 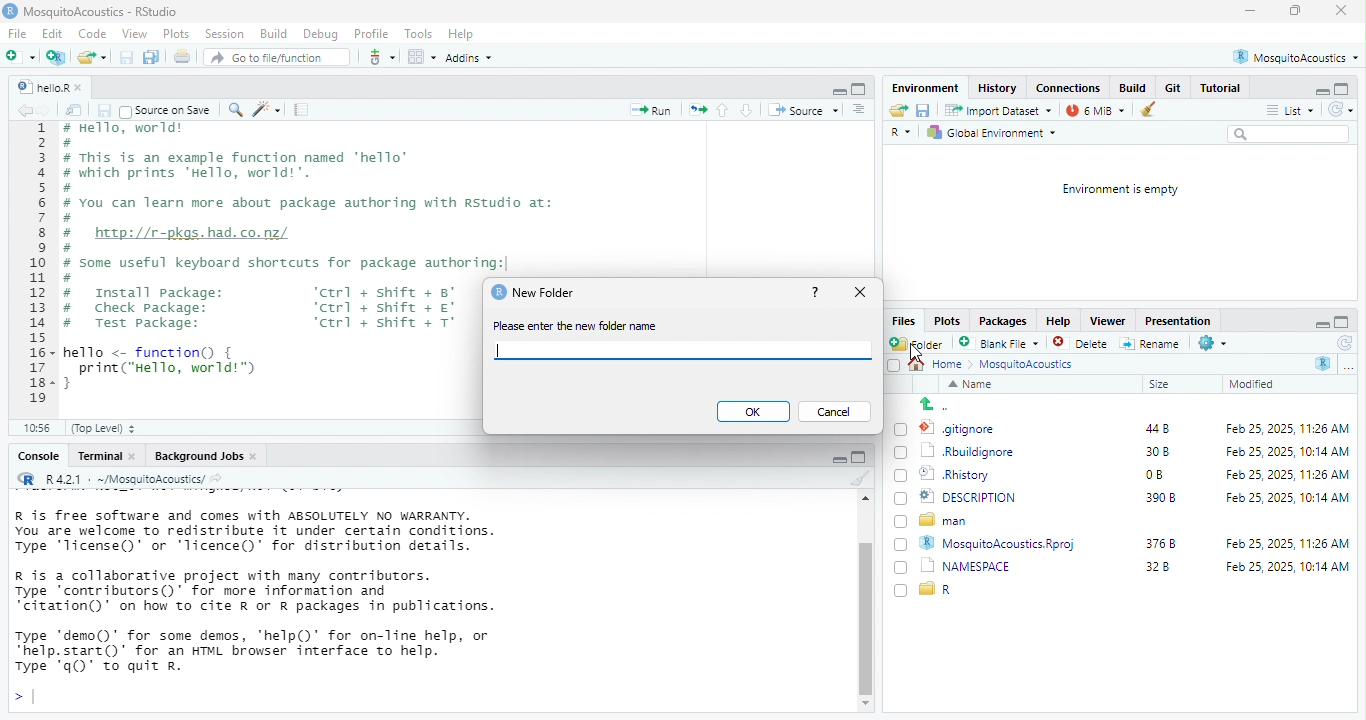 I want to click on Rstudio logo, so click(x=12, y=13).